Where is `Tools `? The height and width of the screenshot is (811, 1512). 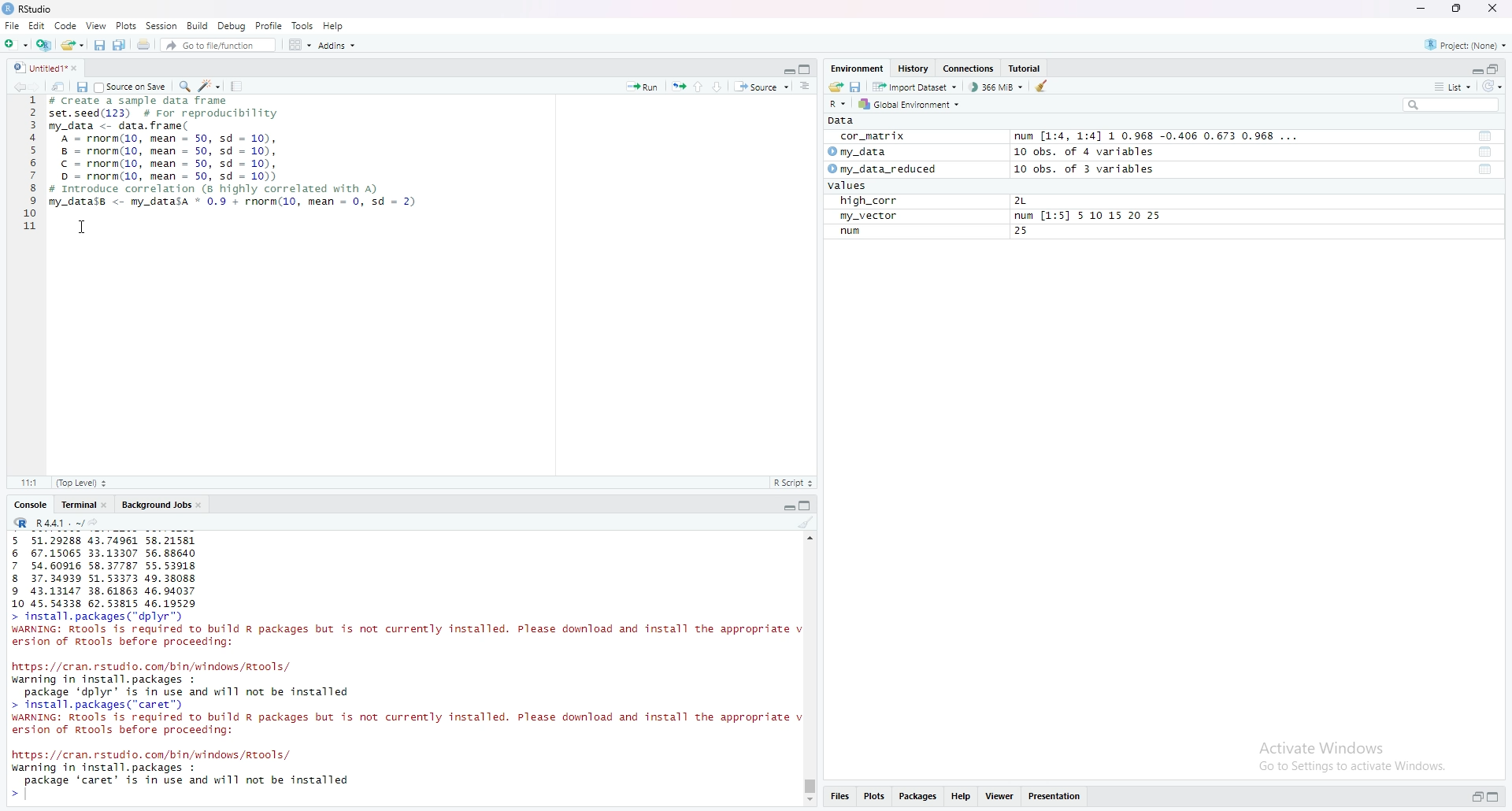
Tools  is located at coordinates (238, 85).